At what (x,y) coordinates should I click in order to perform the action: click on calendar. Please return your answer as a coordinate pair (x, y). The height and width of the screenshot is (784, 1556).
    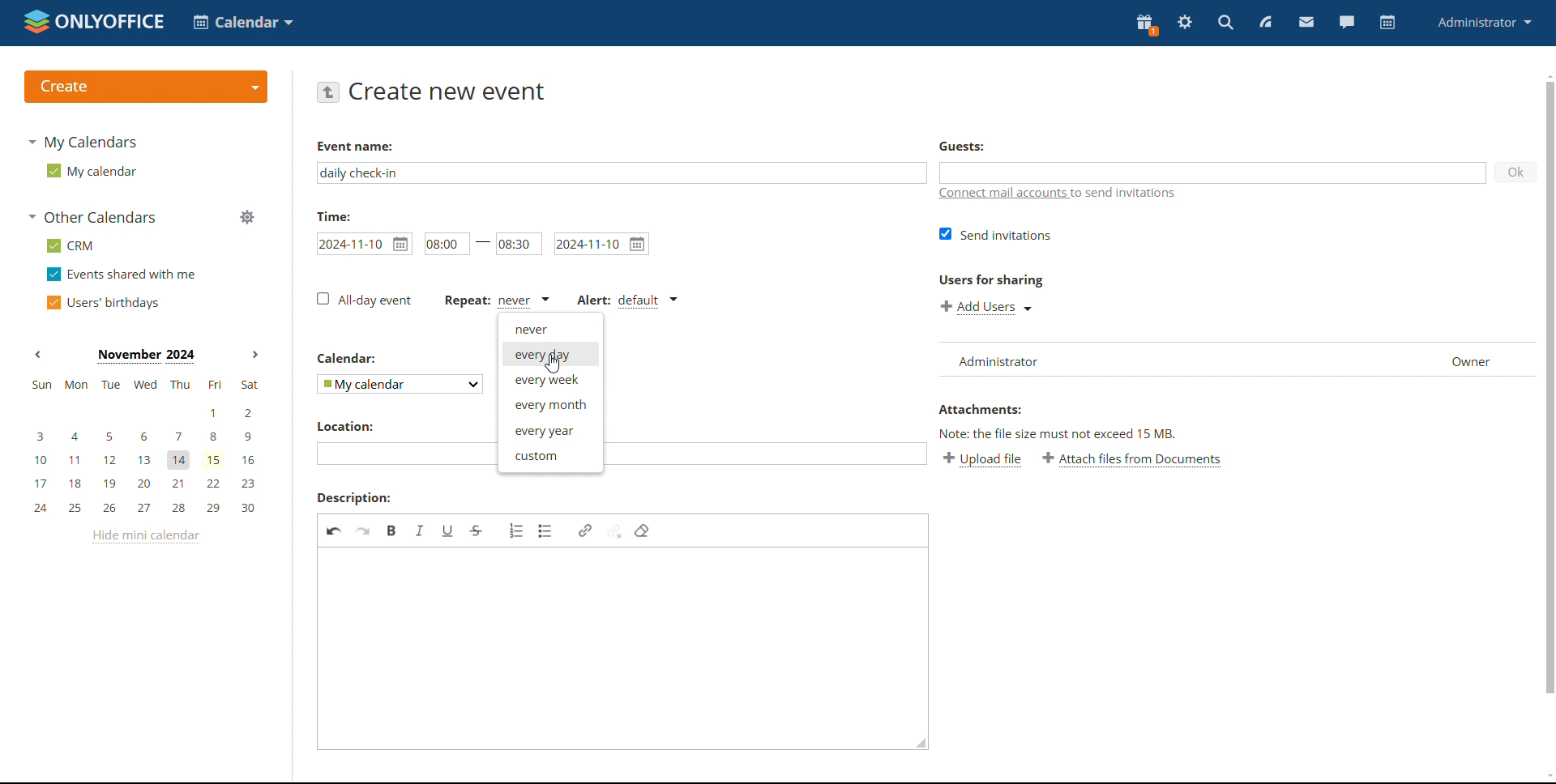
    Looking at the image, I should click on (357, 359).